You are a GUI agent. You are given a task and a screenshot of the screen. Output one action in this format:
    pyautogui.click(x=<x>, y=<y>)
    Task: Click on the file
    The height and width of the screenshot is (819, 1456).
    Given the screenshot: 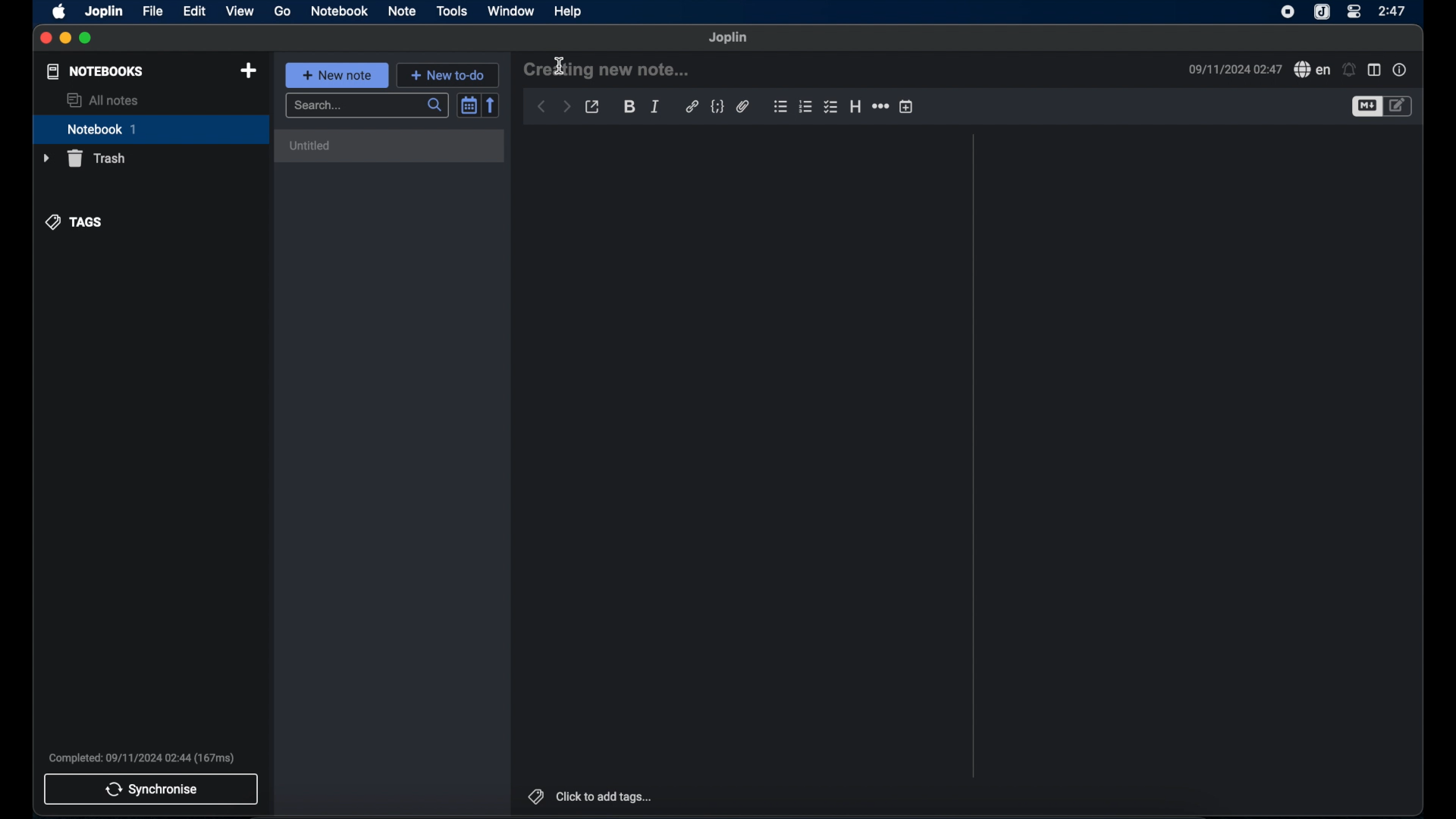 What is the action you would take?
    pyautogui.click(x=152, y=11)
    